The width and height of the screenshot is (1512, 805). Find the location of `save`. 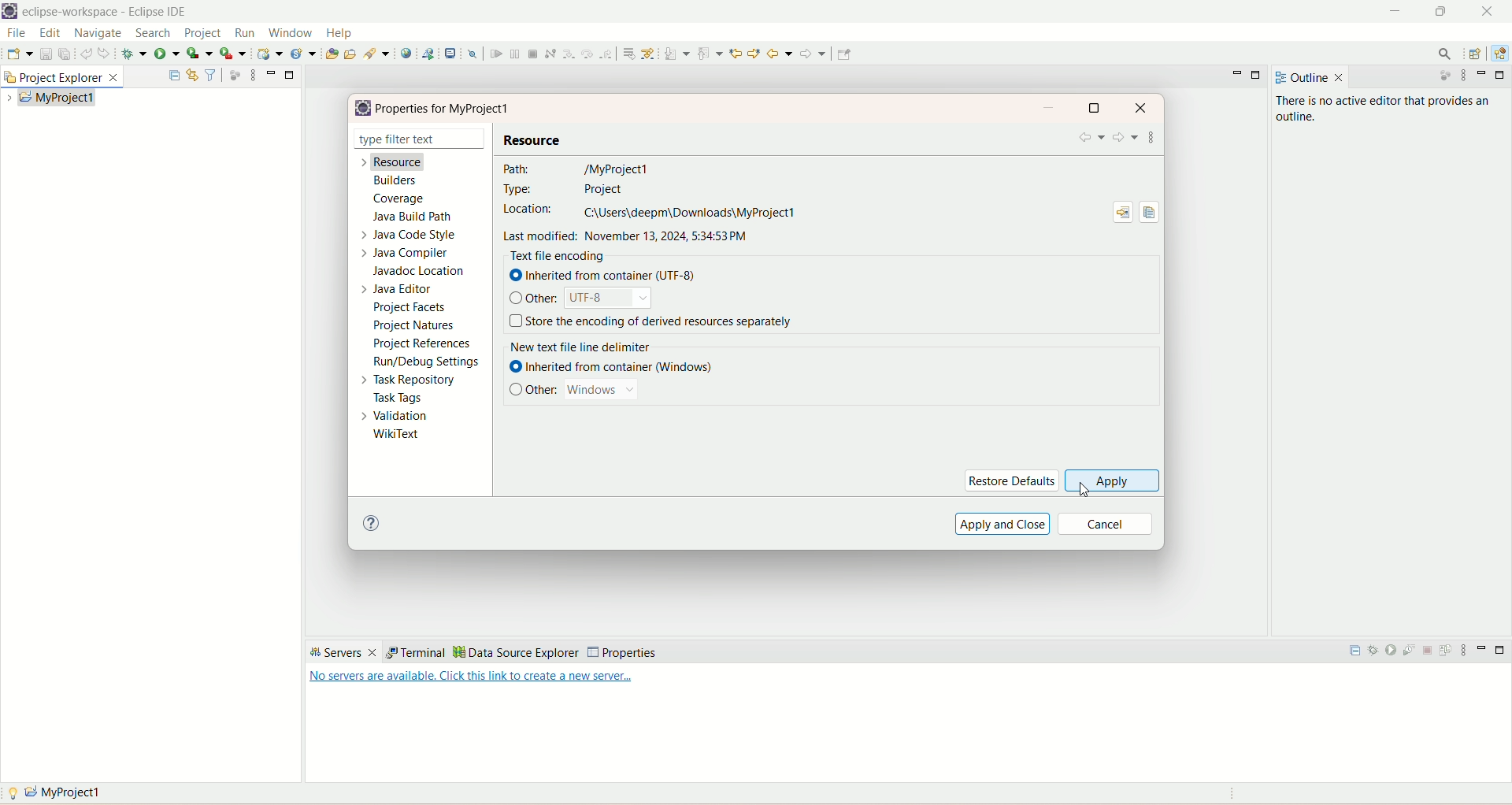

save is located at coordinates (45, 54).